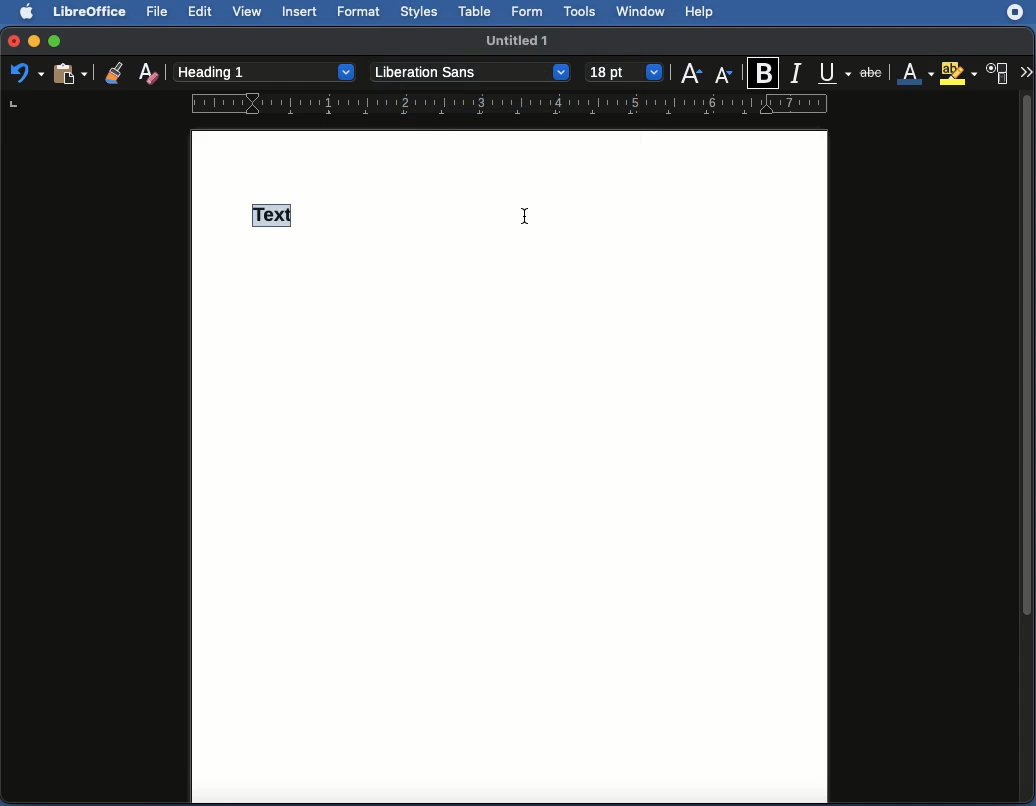  What do you see at coordinates (34, 42) in the screenshot?
I see `Minimize` at bounding box center [34, 42].